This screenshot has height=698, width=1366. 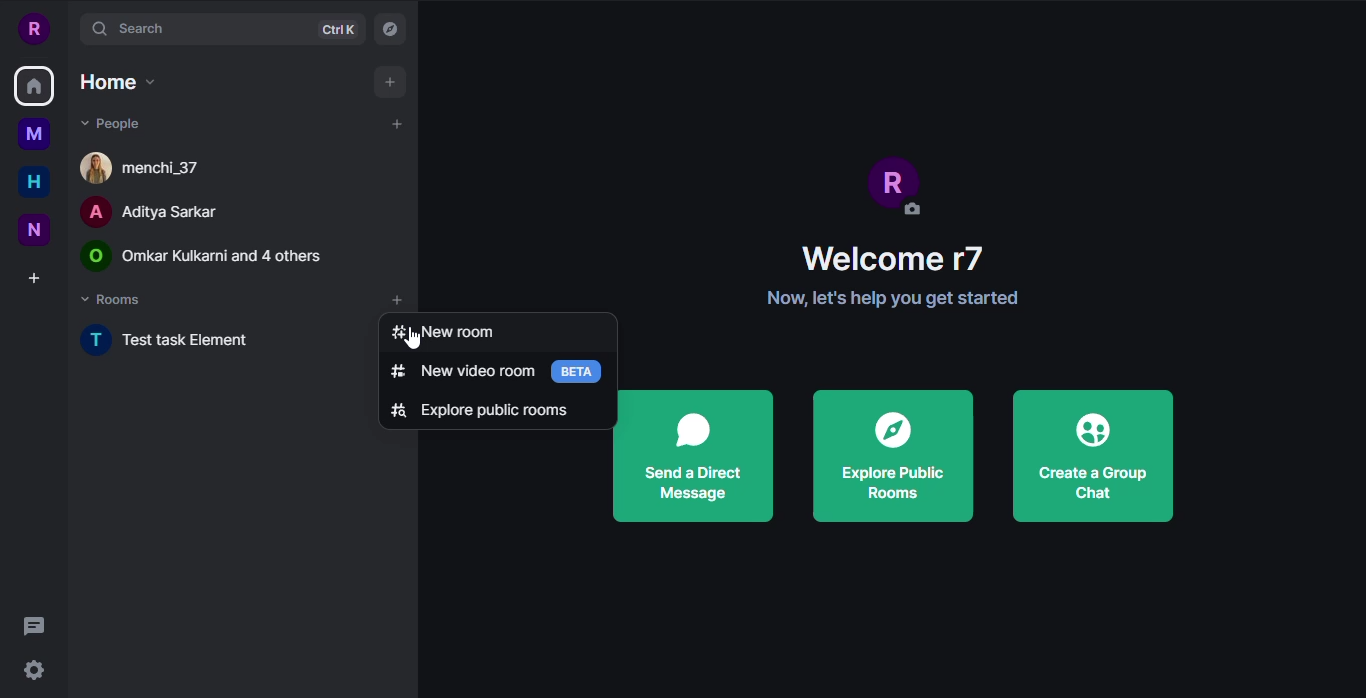 I want to click on people, so click(x=112, y=122).